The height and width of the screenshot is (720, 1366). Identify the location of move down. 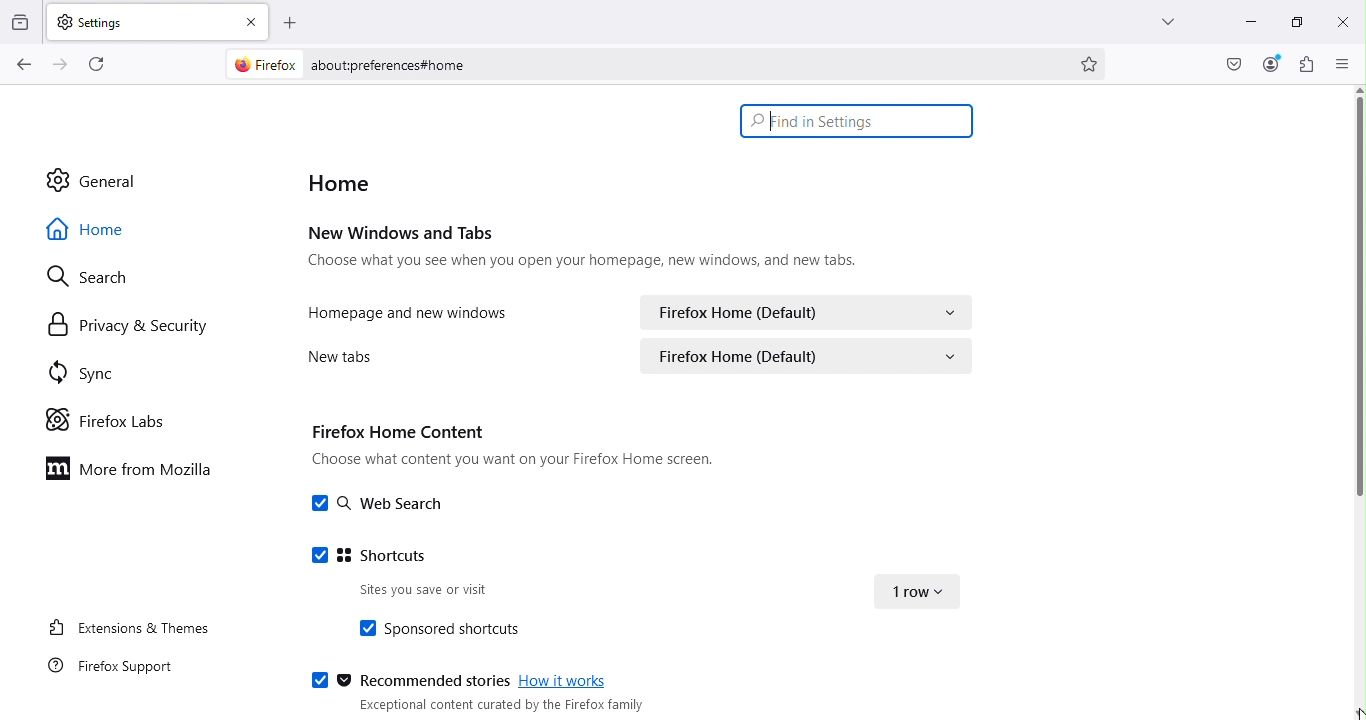
(1357, 712).